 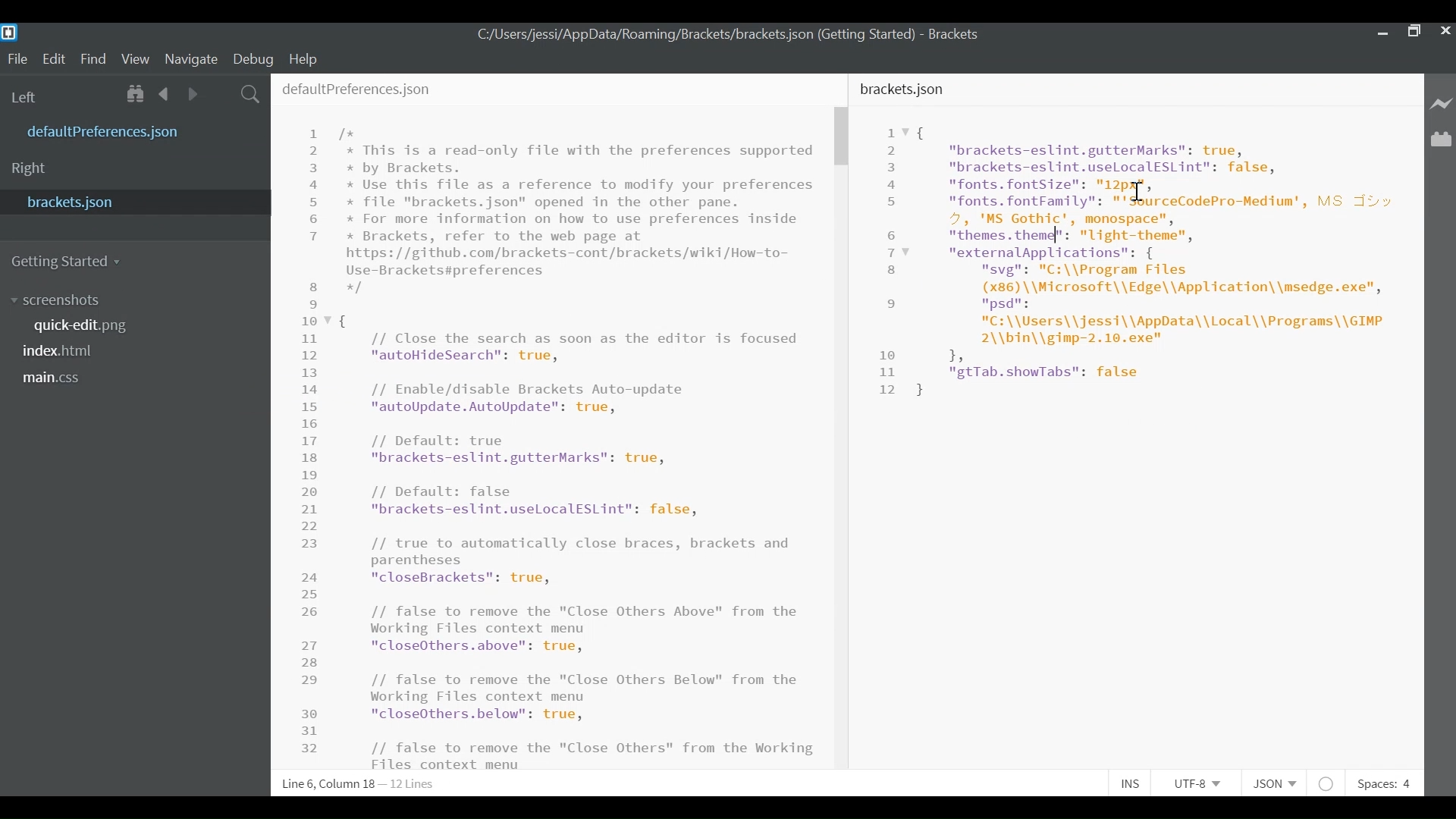 What do you see at coordinates (840, 137) in the screenshot?
I see `Vertical Scroll bar` at bounding box center [840, 137].